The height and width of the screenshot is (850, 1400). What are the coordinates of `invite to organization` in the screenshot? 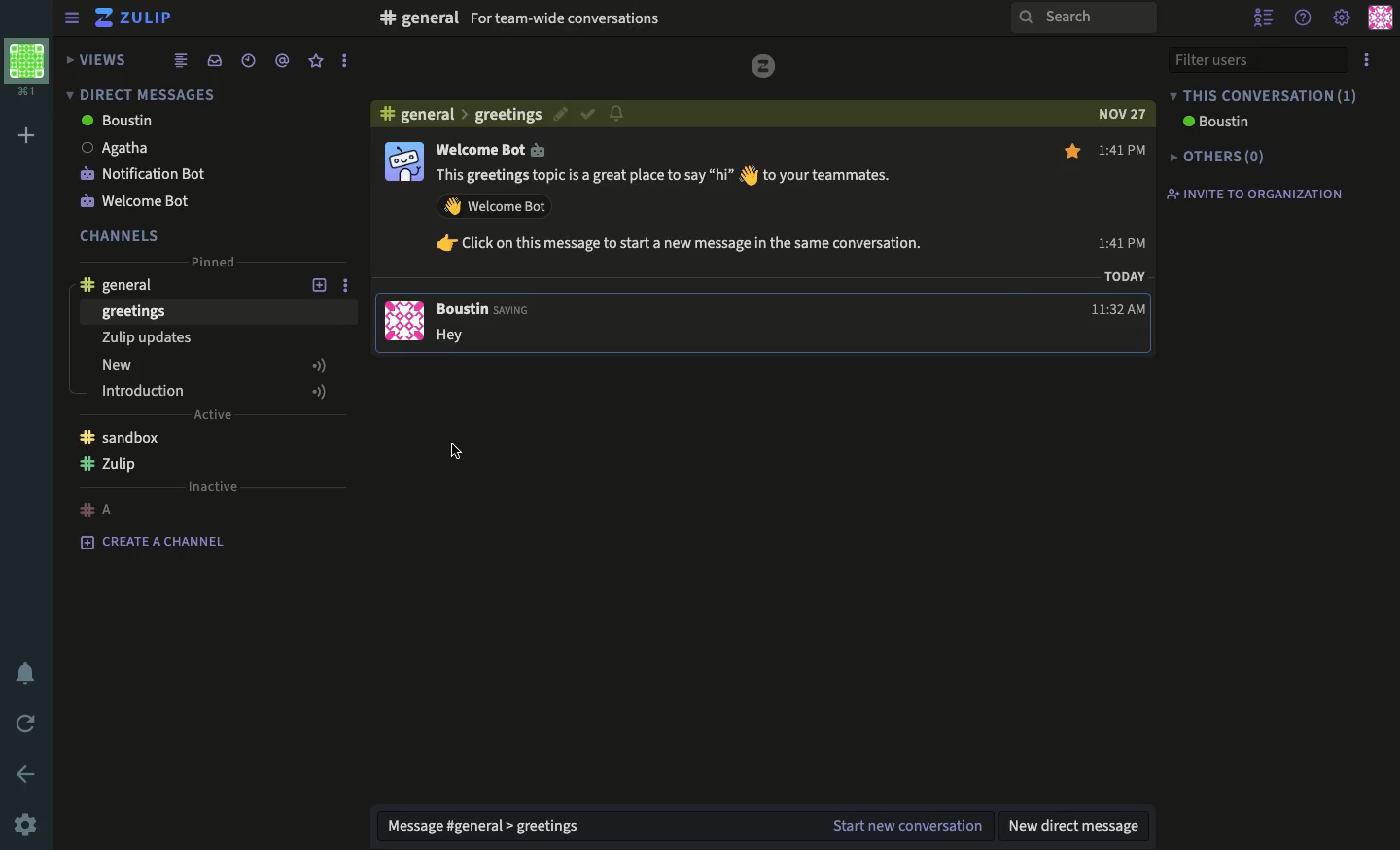 It's located at (1256, 193).